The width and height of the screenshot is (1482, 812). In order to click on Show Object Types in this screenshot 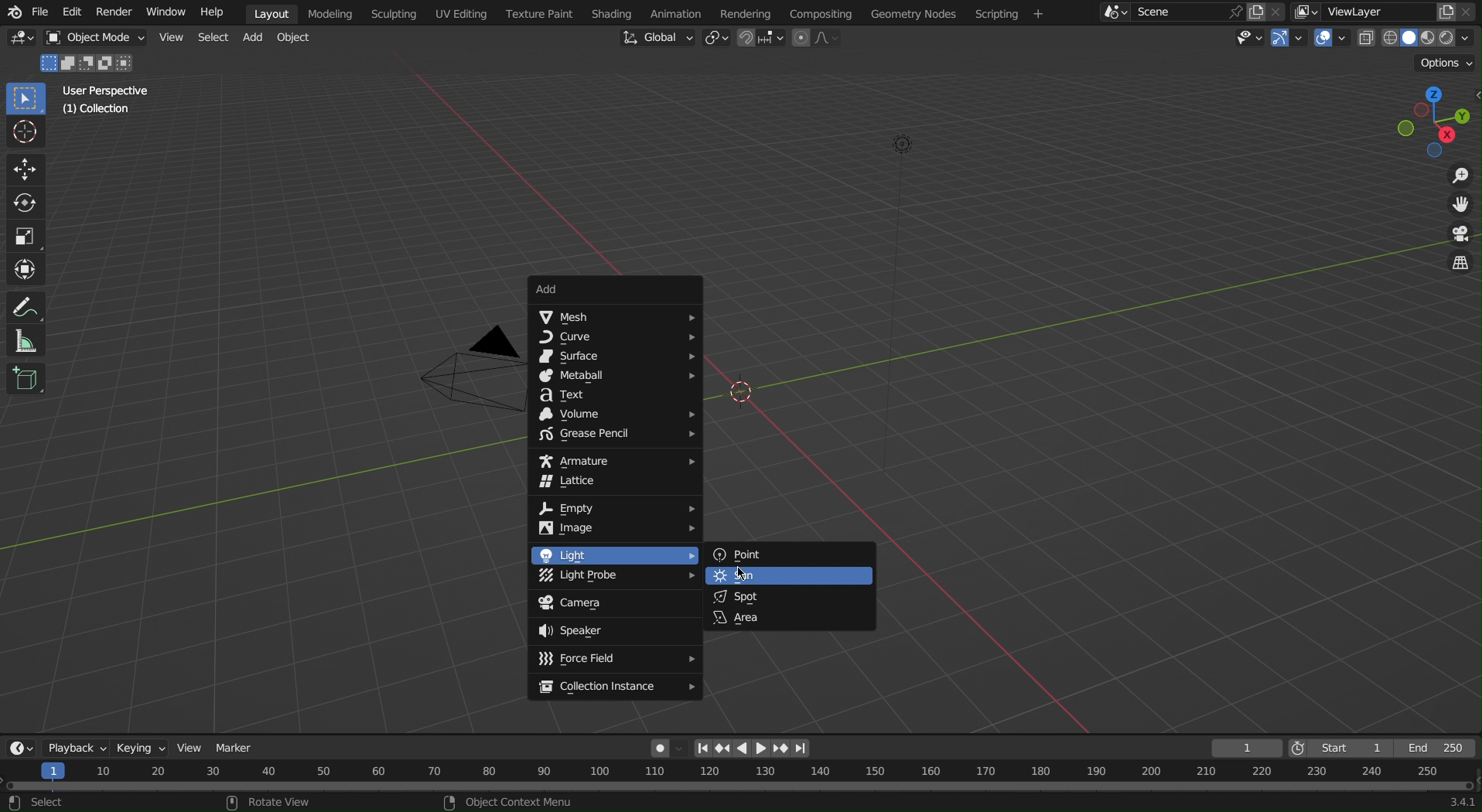, I will do `click(1245, 39)`.